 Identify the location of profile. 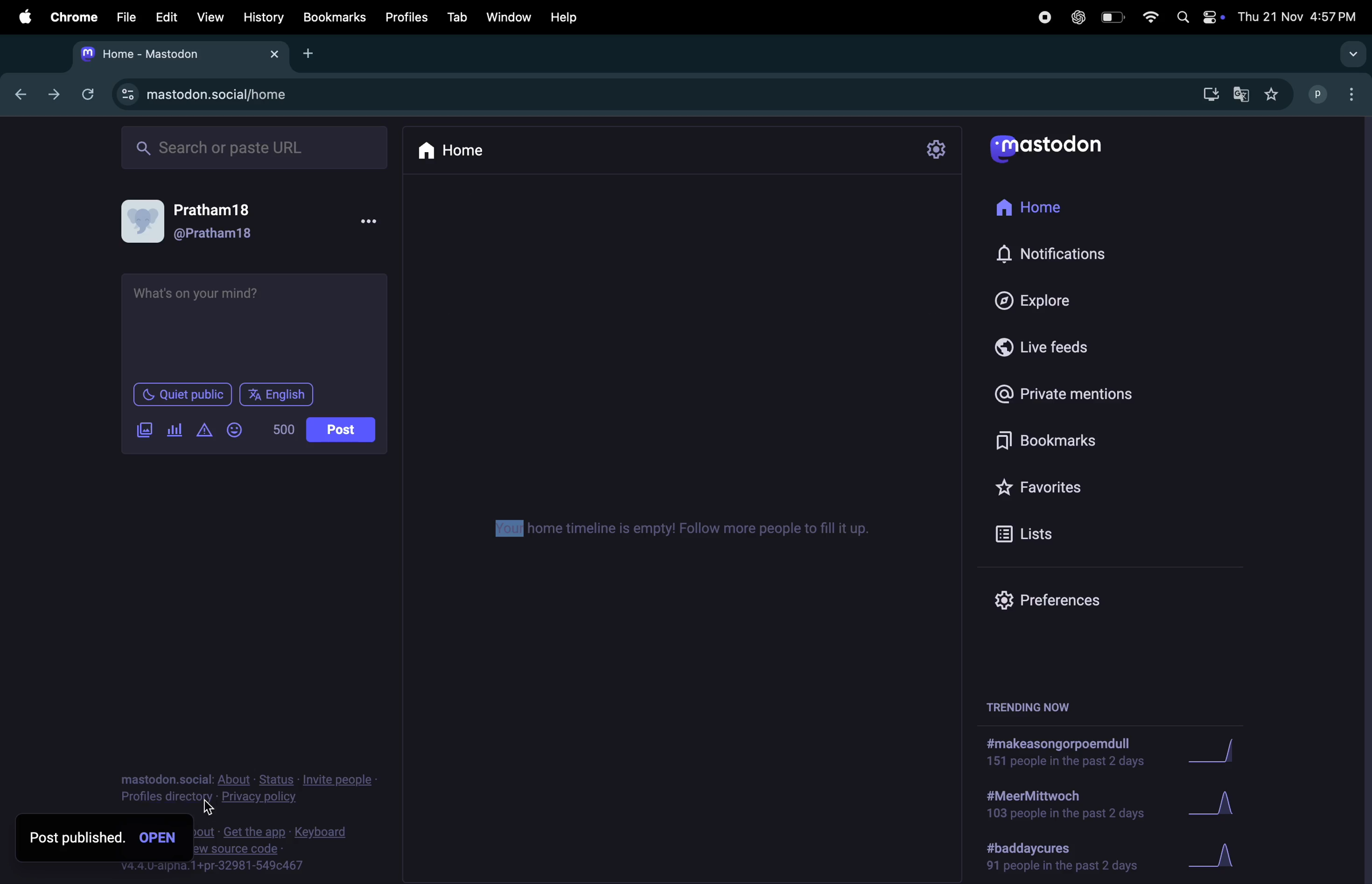
(1313, 93).